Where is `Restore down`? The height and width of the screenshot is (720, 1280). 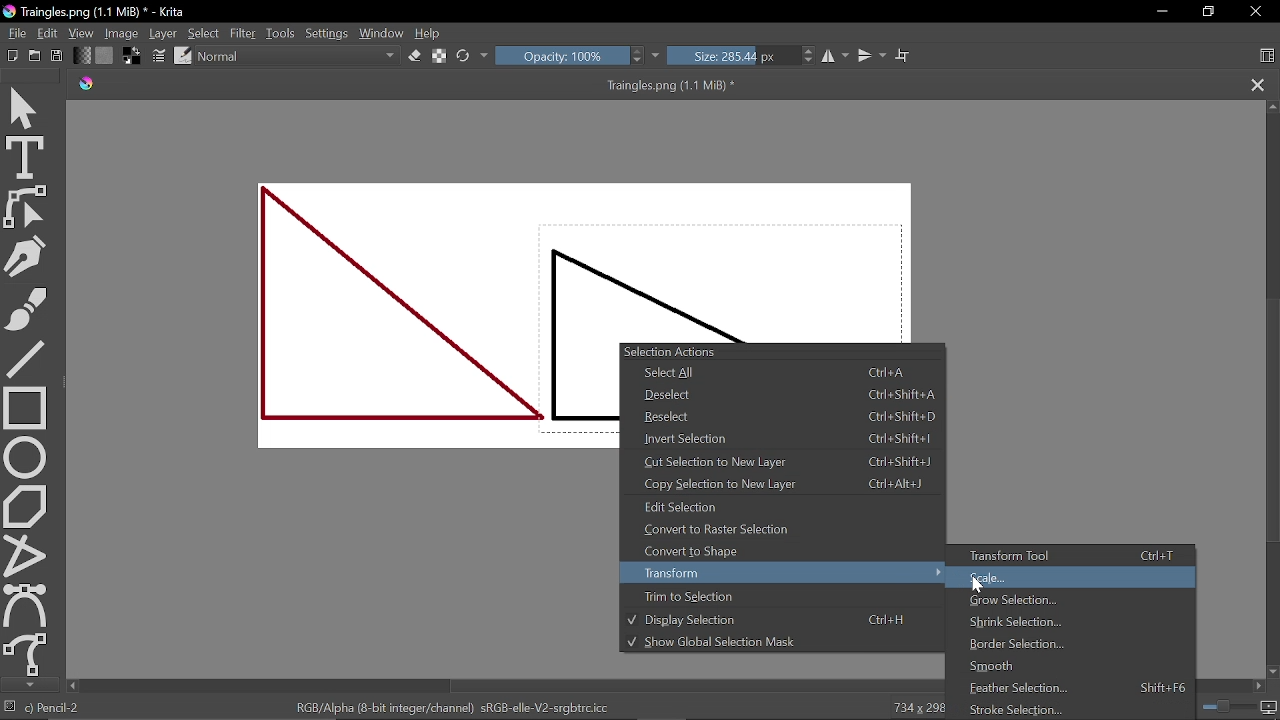 Restore down is located at coordinates (1207, 12).